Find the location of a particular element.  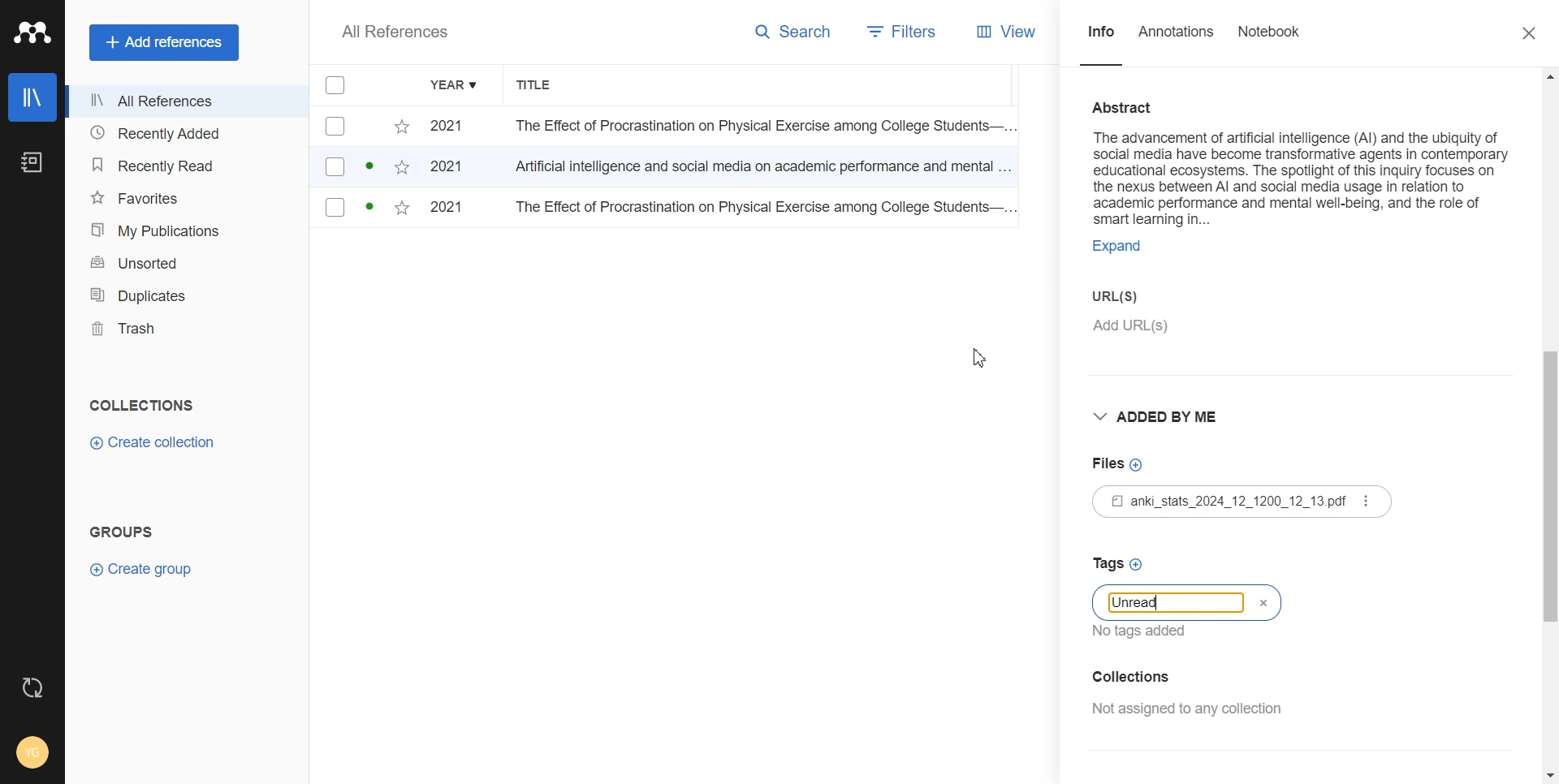

2021 is located at coordinates (452, 127).